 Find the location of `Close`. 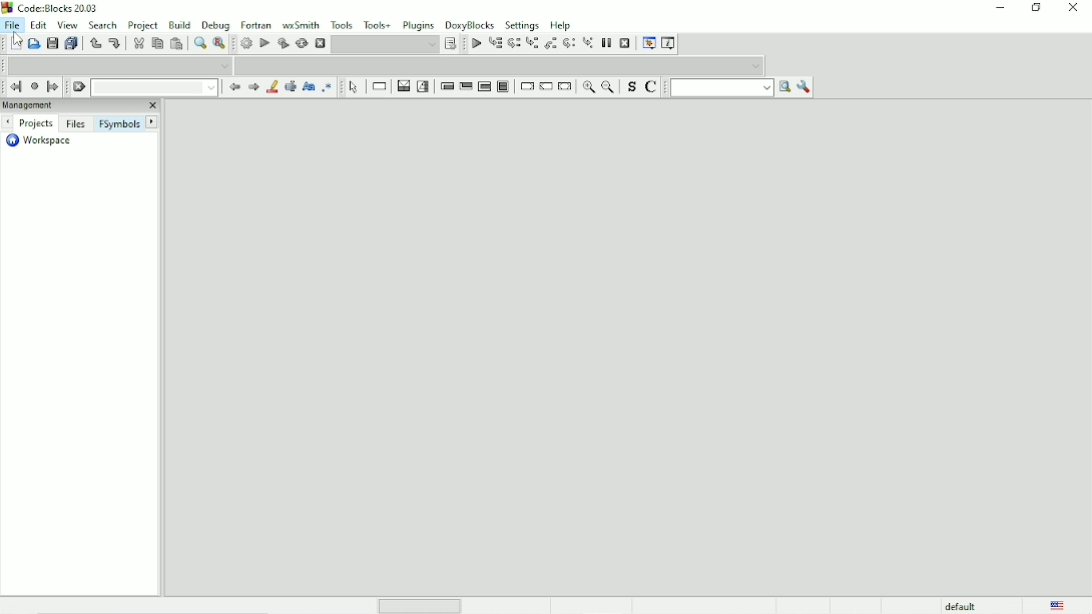

Close is located at coordinates (1074, 9).